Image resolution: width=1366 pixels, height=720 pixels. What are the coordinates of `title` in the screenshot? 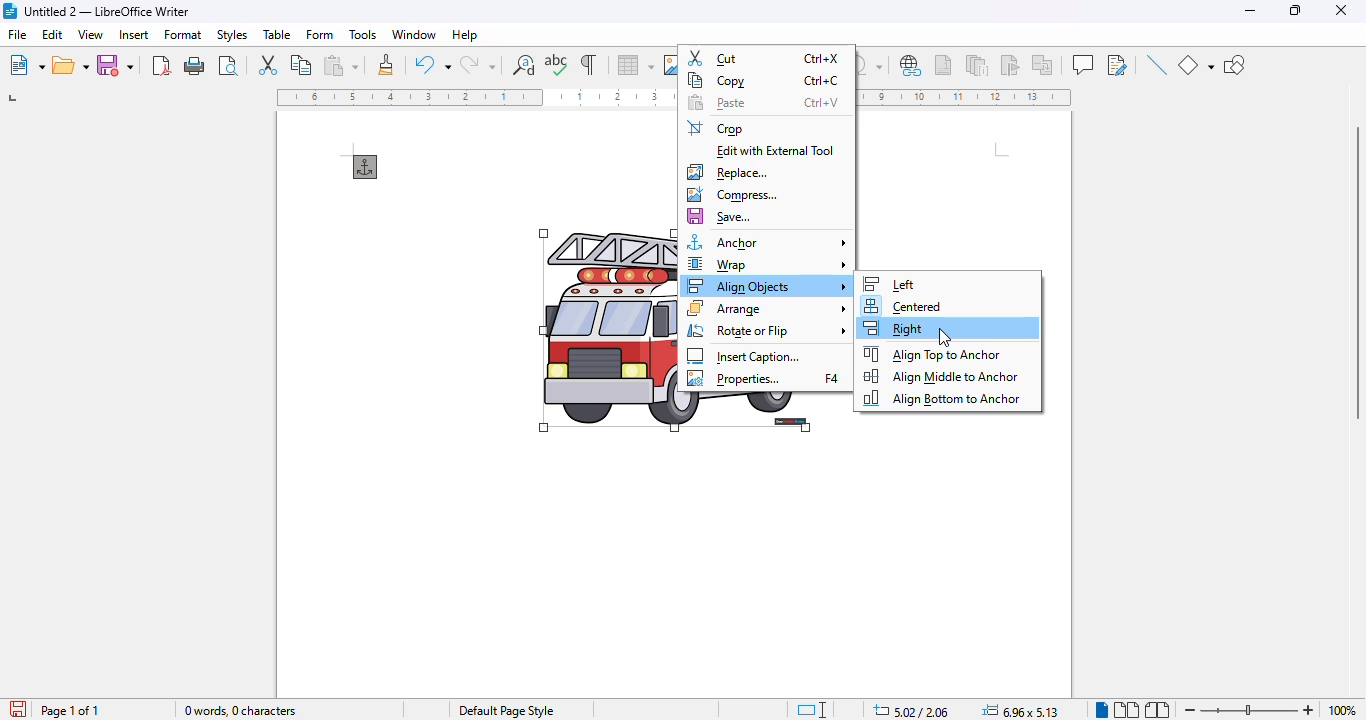 It's located at (107, 11).